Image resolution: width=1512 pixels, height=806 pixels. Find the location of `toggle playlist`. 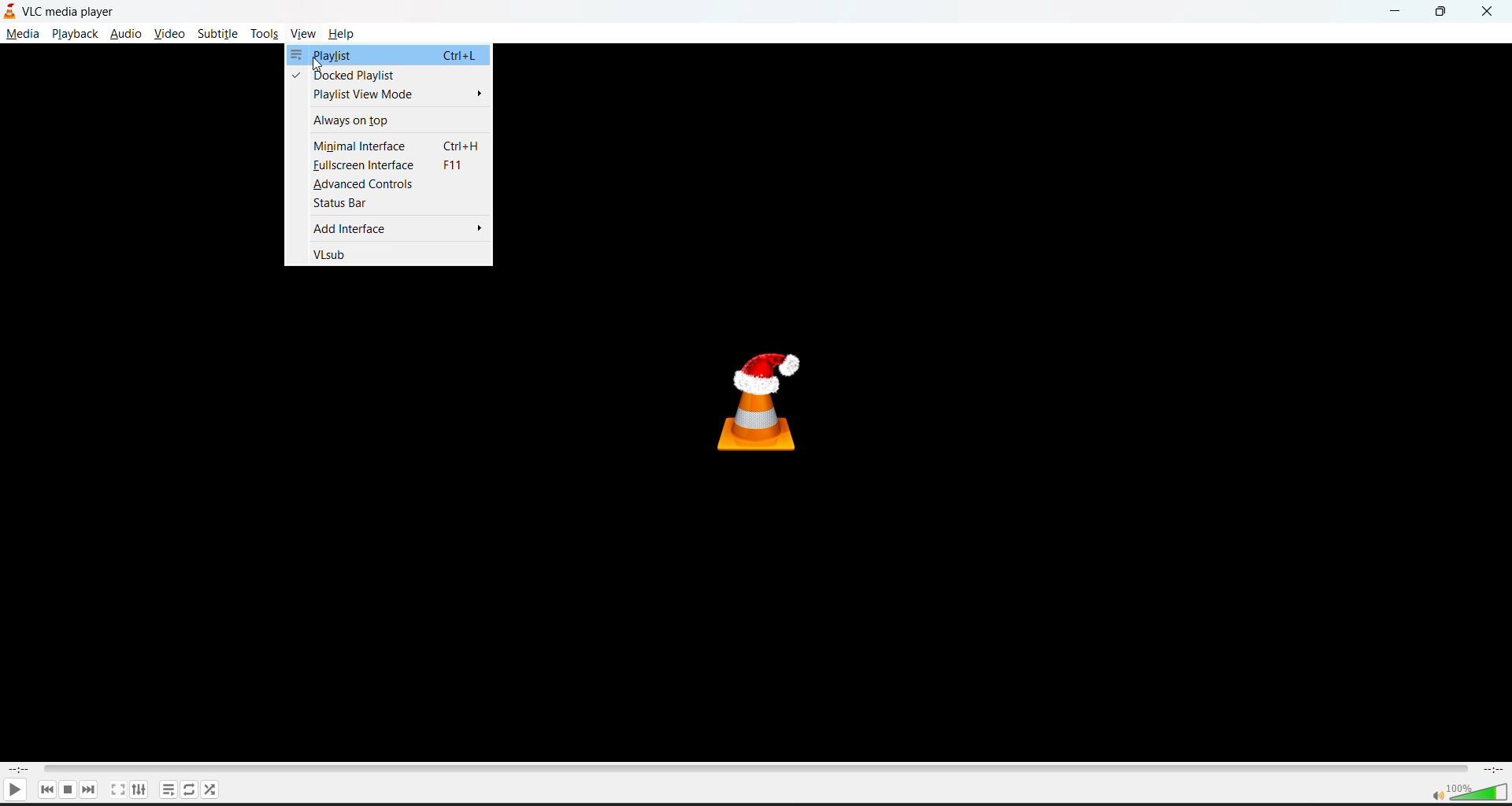

toggle playlist is located at coordinates (169, 789).